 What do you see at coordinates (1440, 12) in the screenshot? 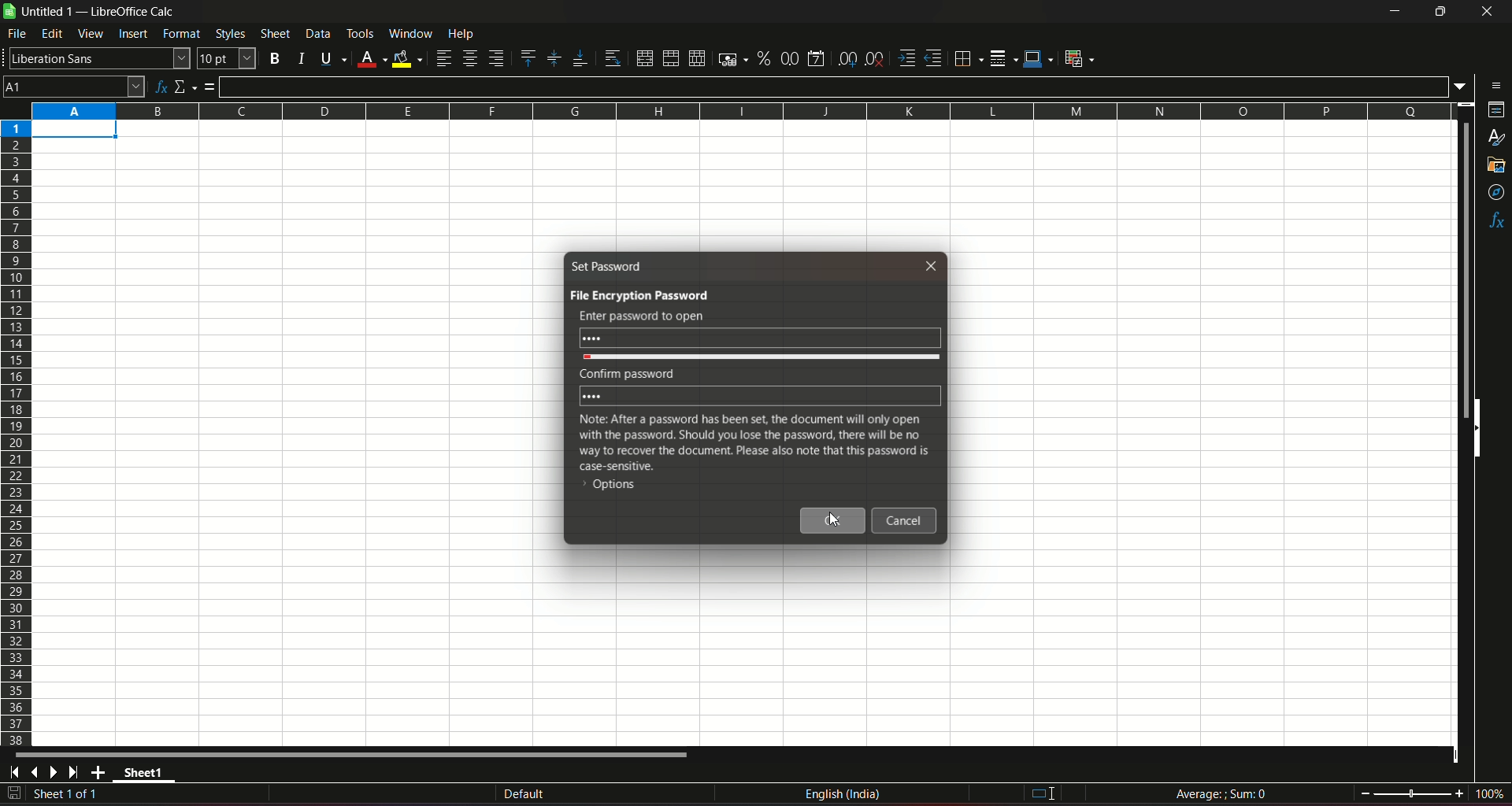
I see `maximize` at bounding box center [1440, 12].